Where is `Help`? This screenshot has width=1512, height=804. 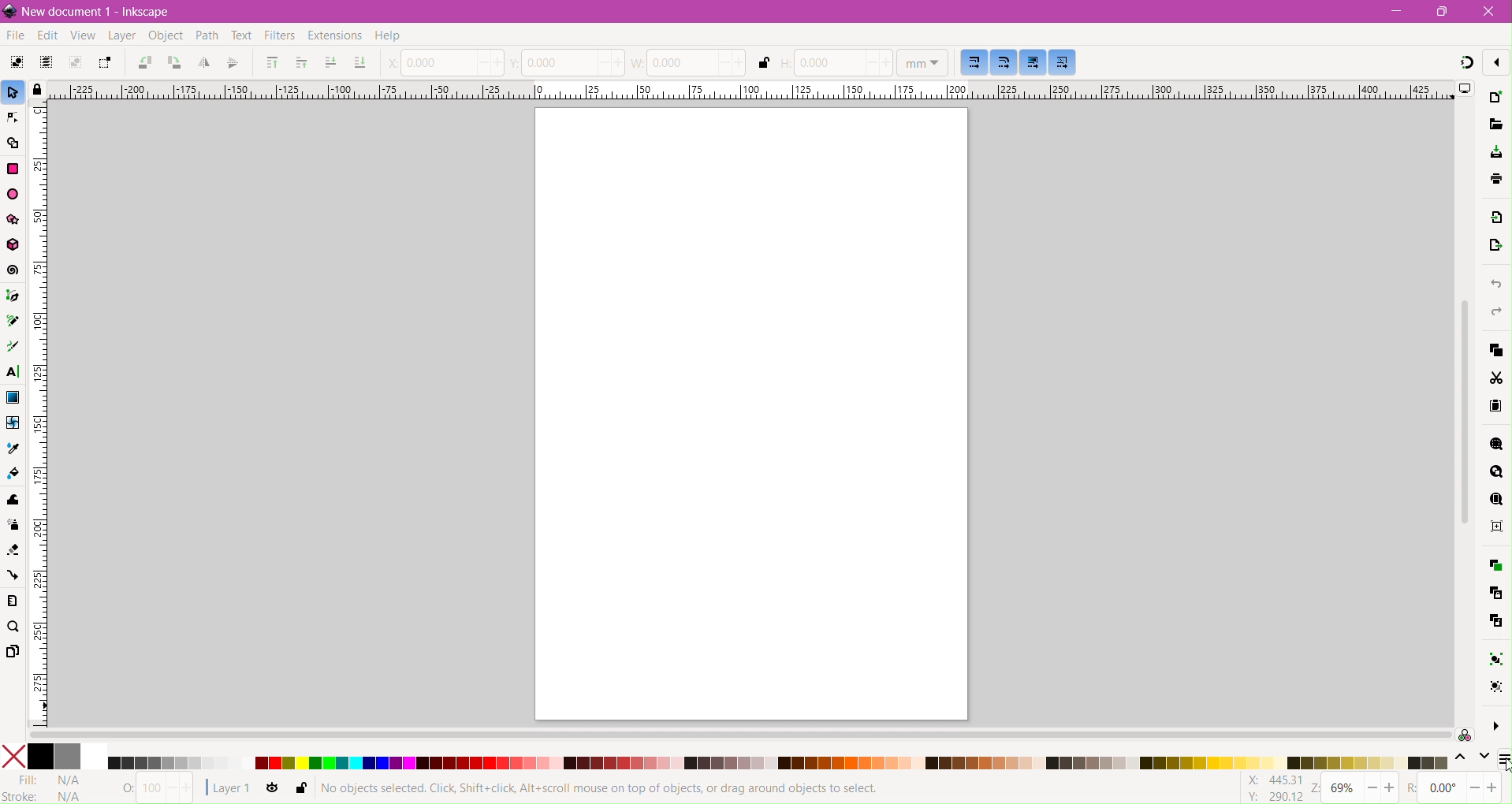 Help is located at coordinates (397, 36).